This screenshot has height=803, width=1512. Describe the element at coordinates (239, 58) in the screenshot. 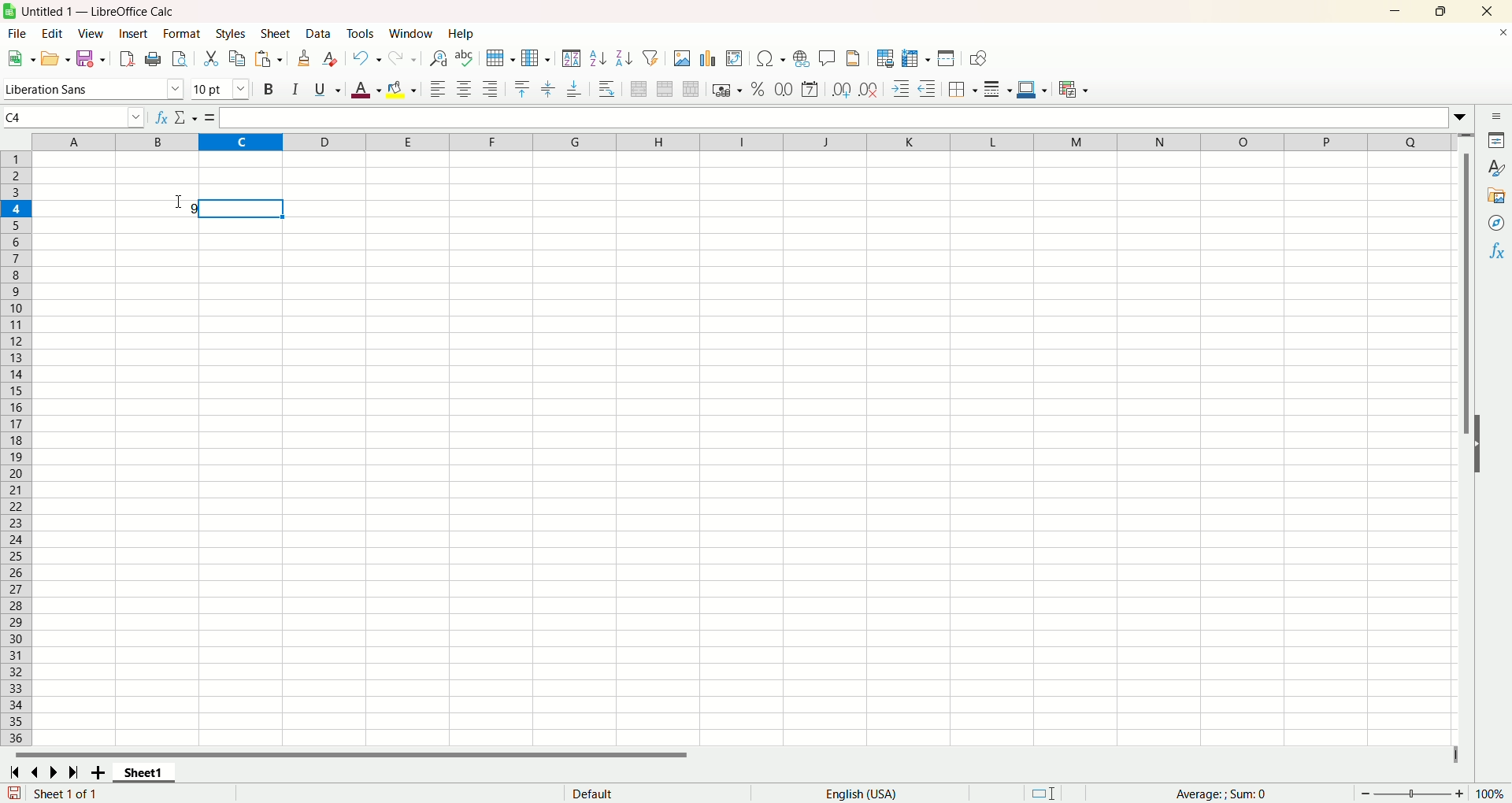

I see `copy` at that location.